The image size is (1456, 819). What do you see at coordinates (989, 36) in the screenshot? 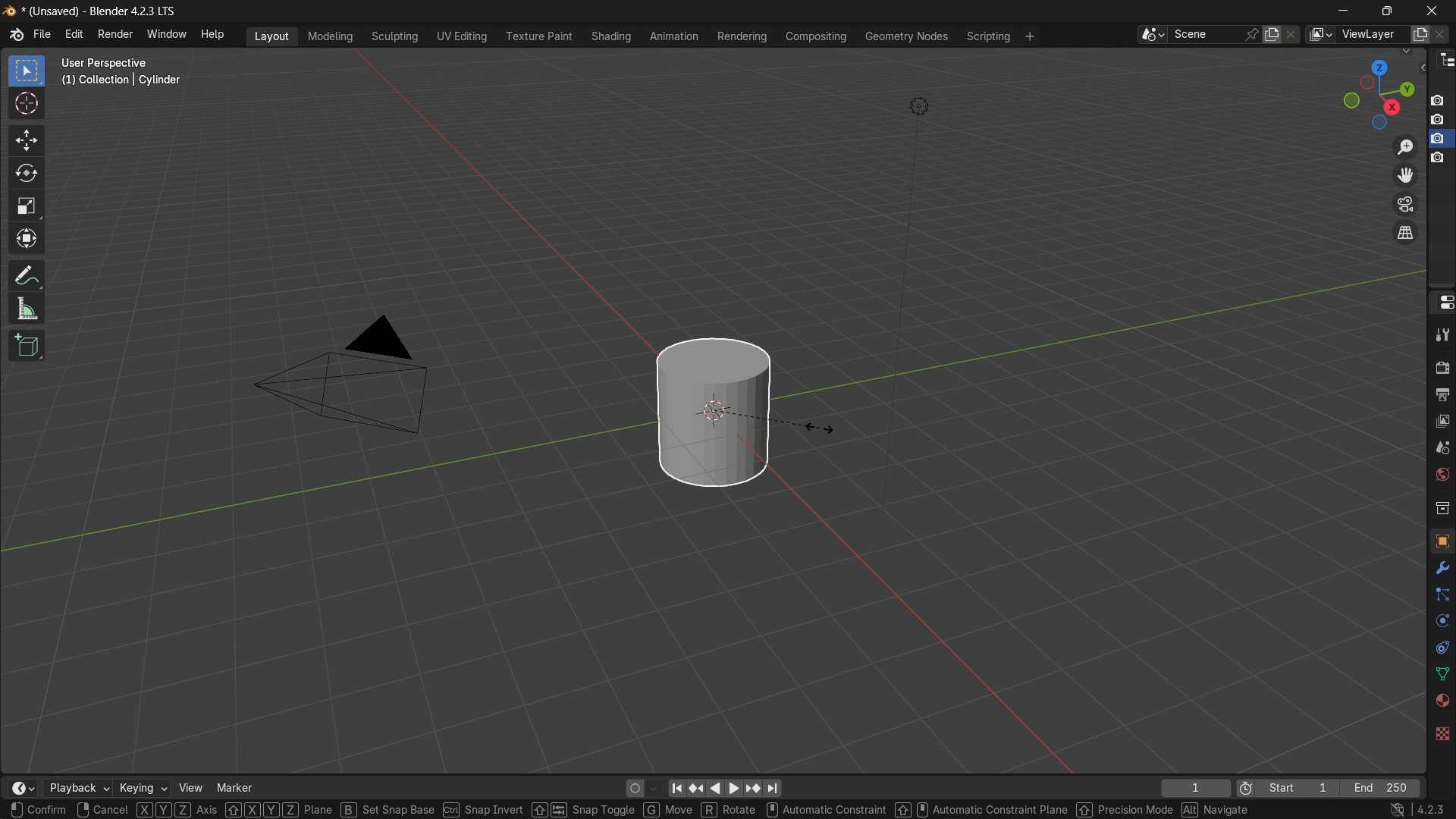
I see `scripting` at bounding box center [989, 36].